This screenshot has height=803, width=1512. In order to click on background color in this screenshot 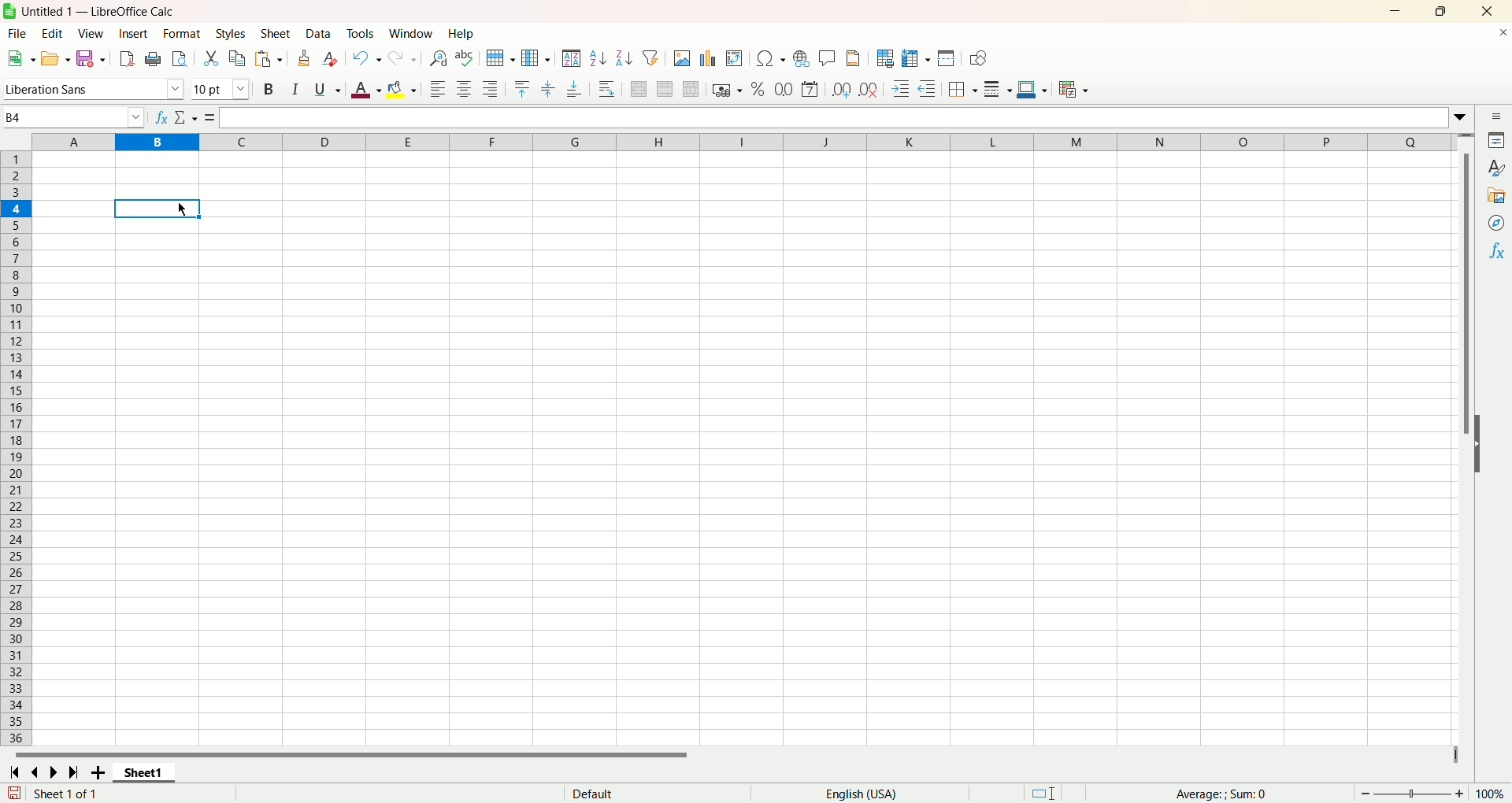, I will do `click(402, 88)`.